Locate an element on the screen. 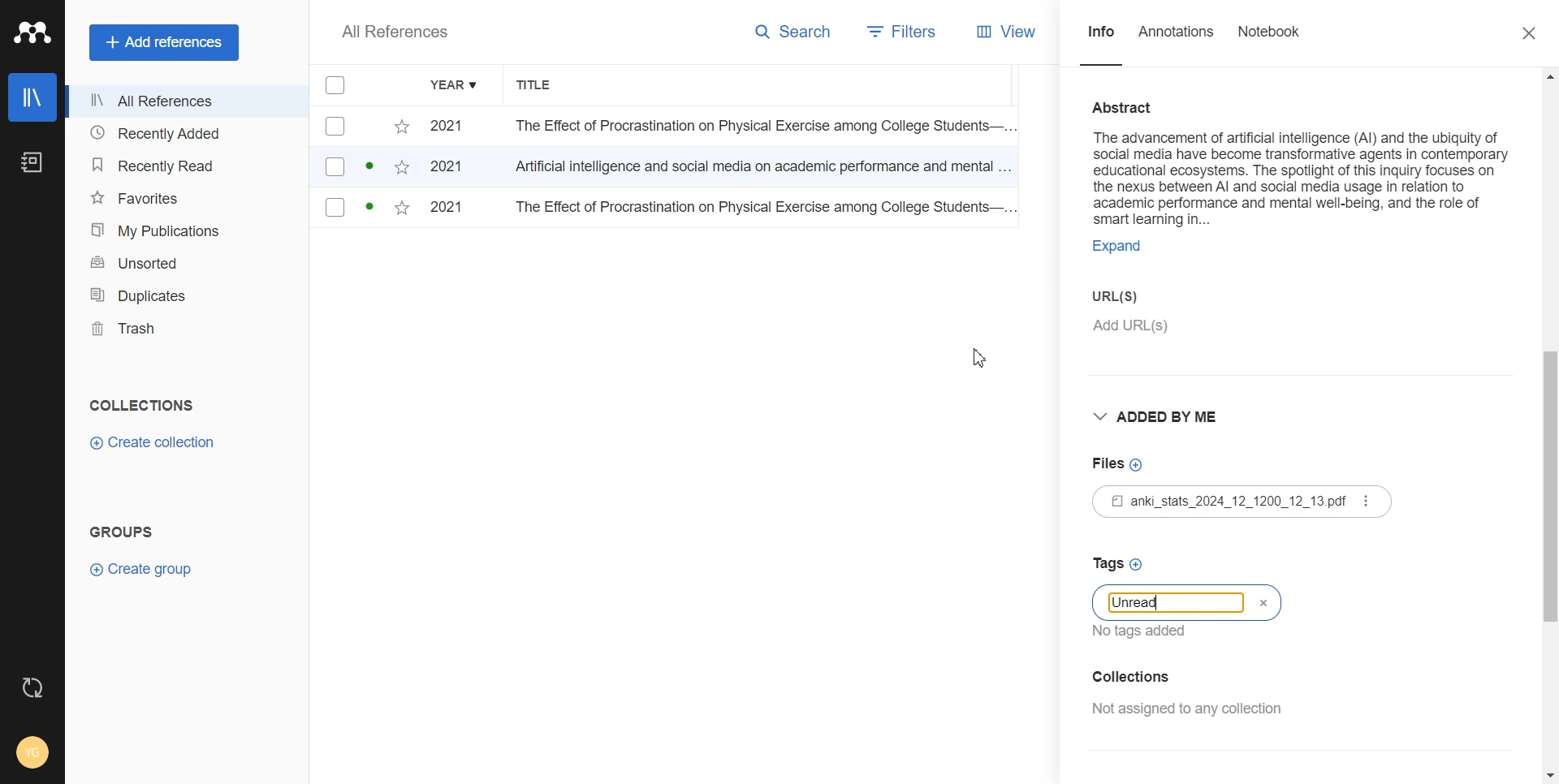 The height and width of the screenshot is (784, 1559). COLLECTIONS is located at coordinates (145, 405).